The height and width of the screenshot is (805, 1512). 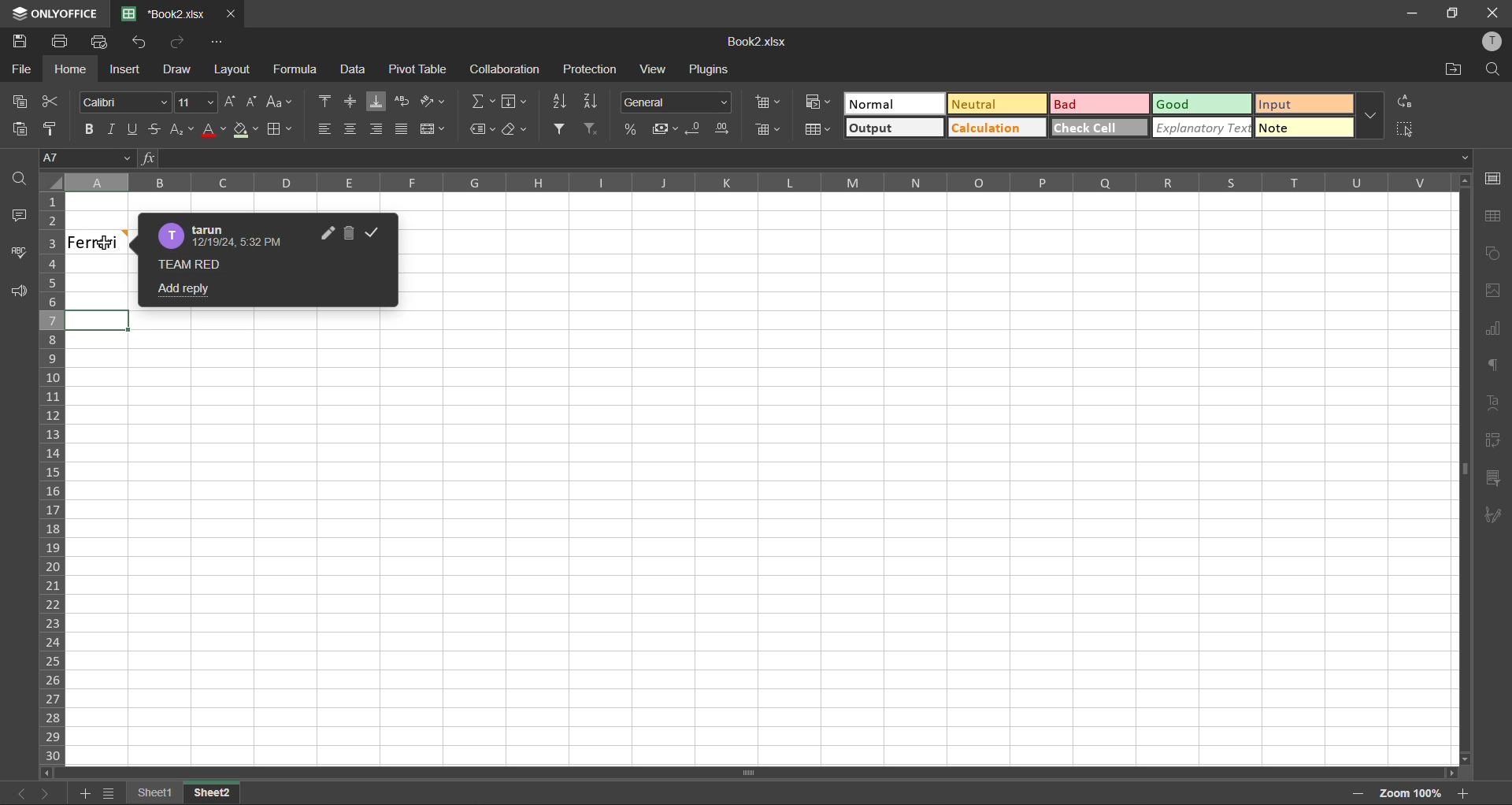 I want to click on fontcolor, so click(x=213, y=132).